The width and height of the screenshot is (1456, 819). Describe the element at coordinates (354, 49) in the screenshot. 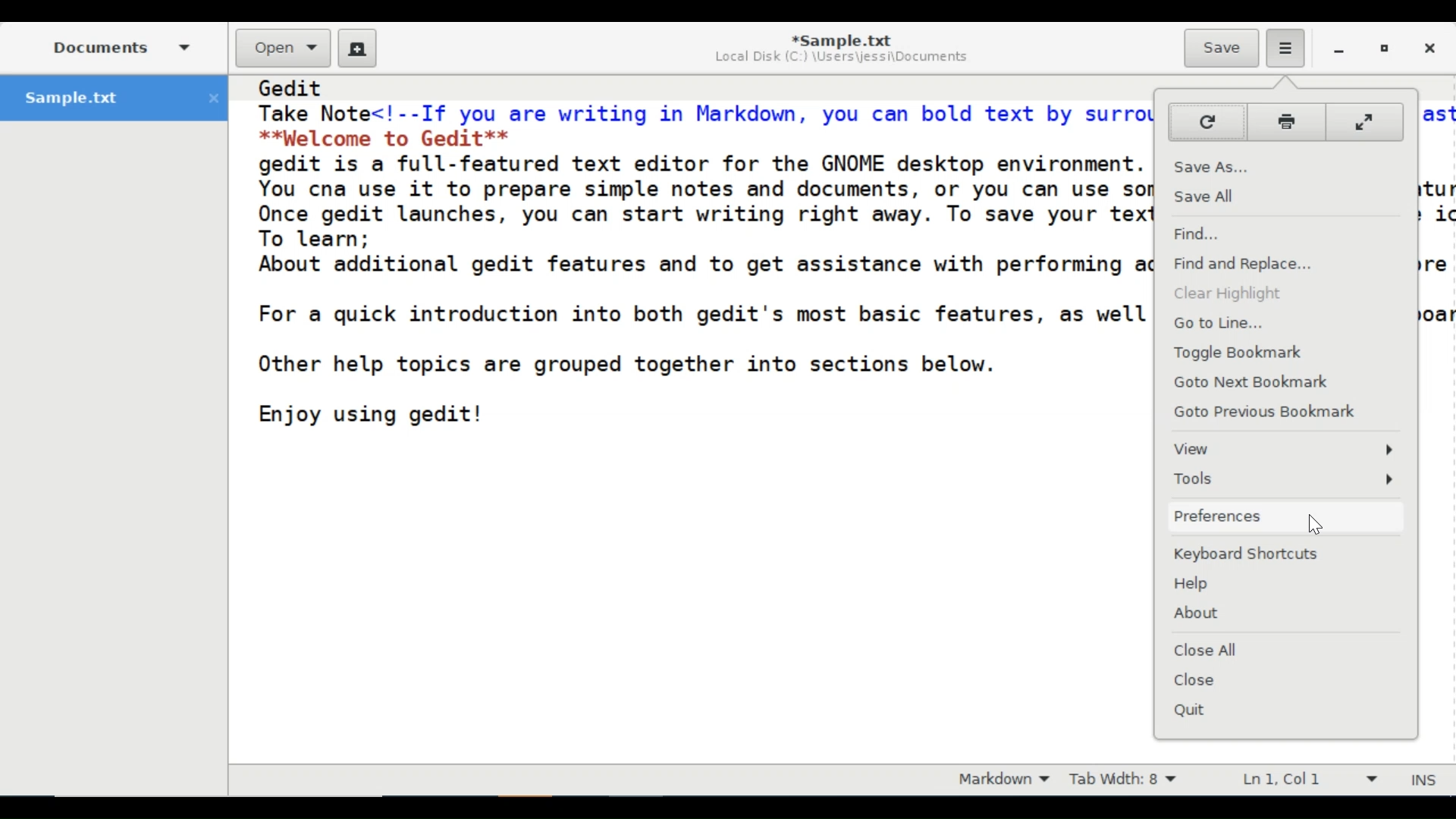

I see `New File` at that location.